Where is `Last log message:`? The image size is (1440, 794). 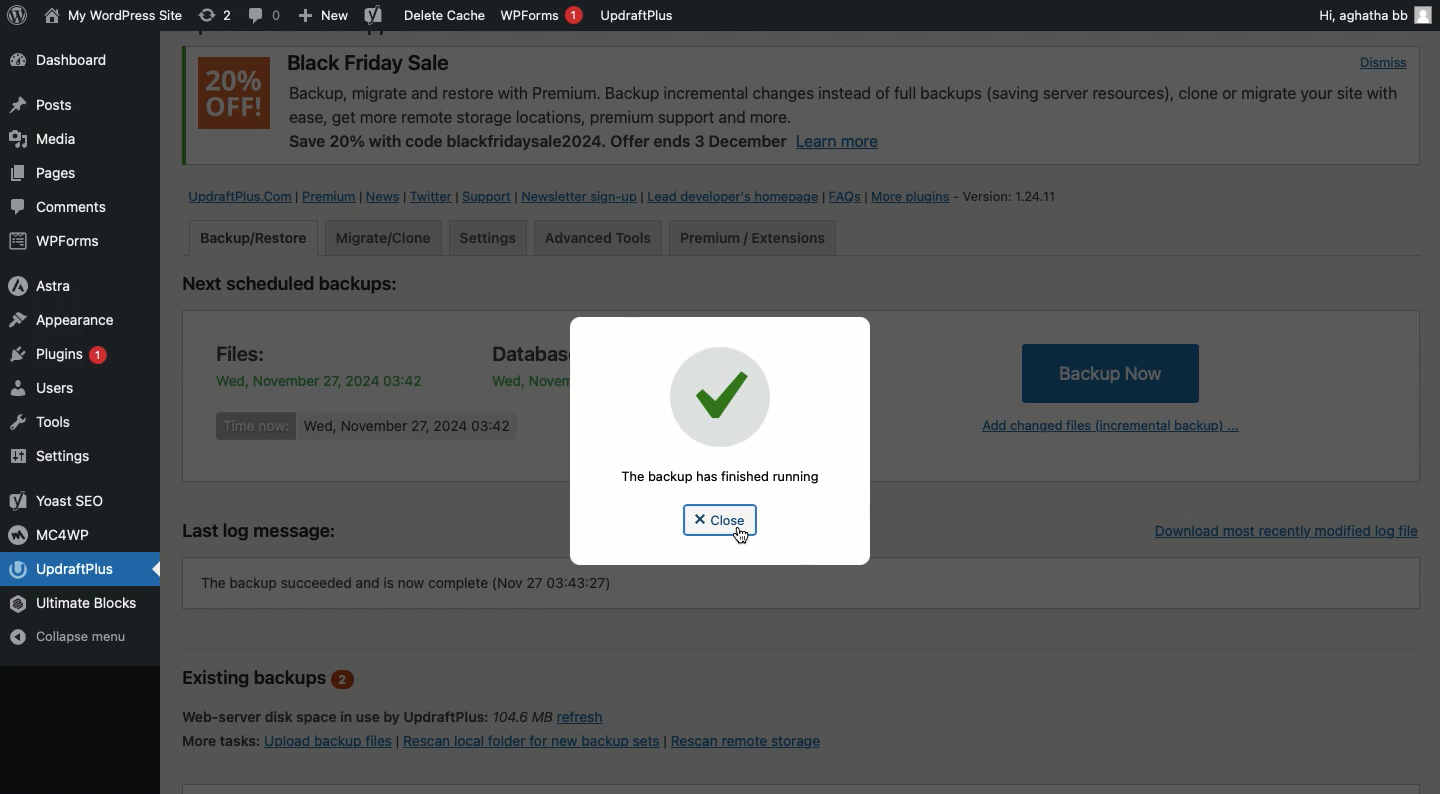 Last log message: is located at coordinates (274, 528).